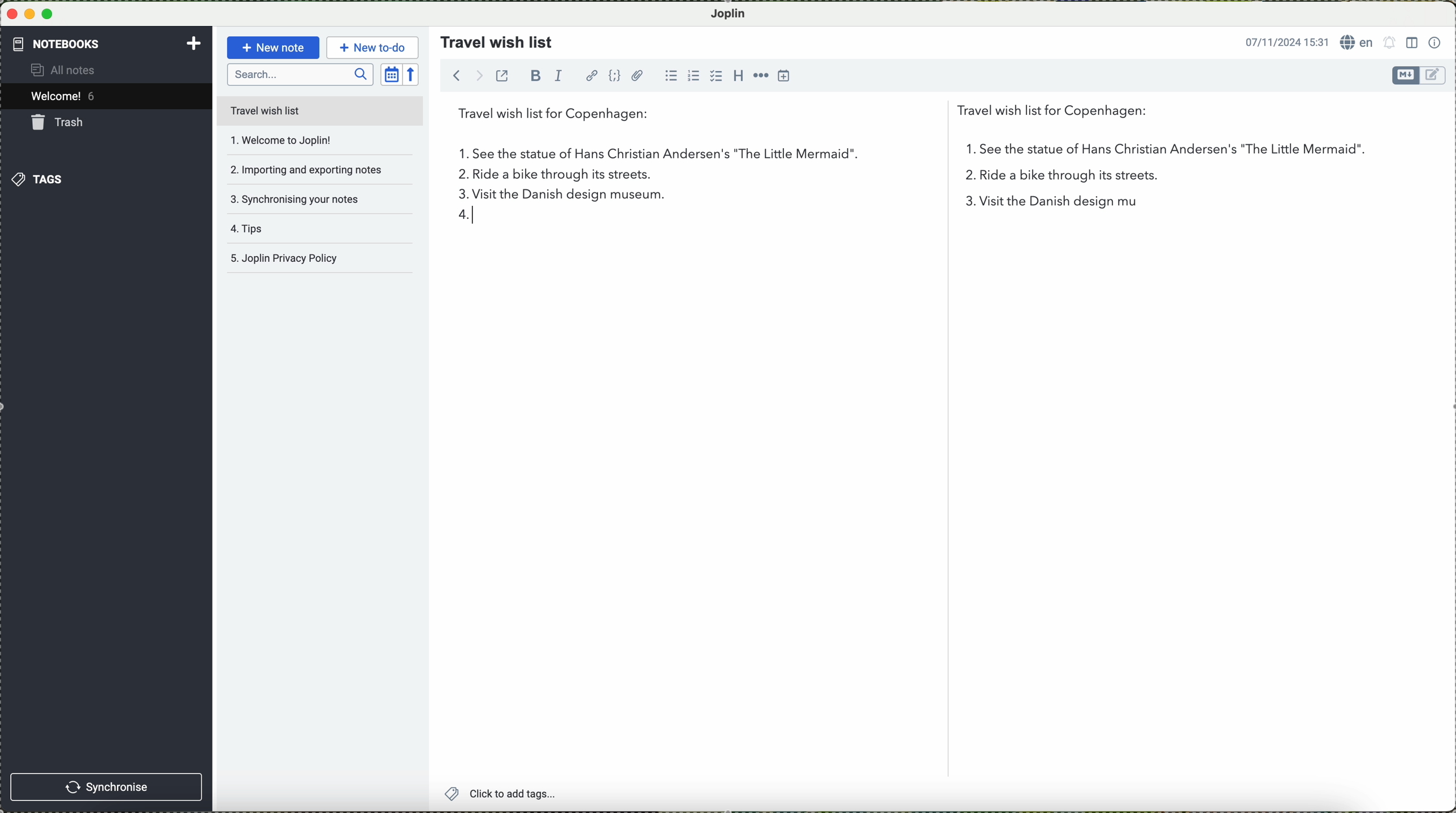 The width and height of the screenshot is (1456, 813). I want to click on all notes, so click(73, 71).